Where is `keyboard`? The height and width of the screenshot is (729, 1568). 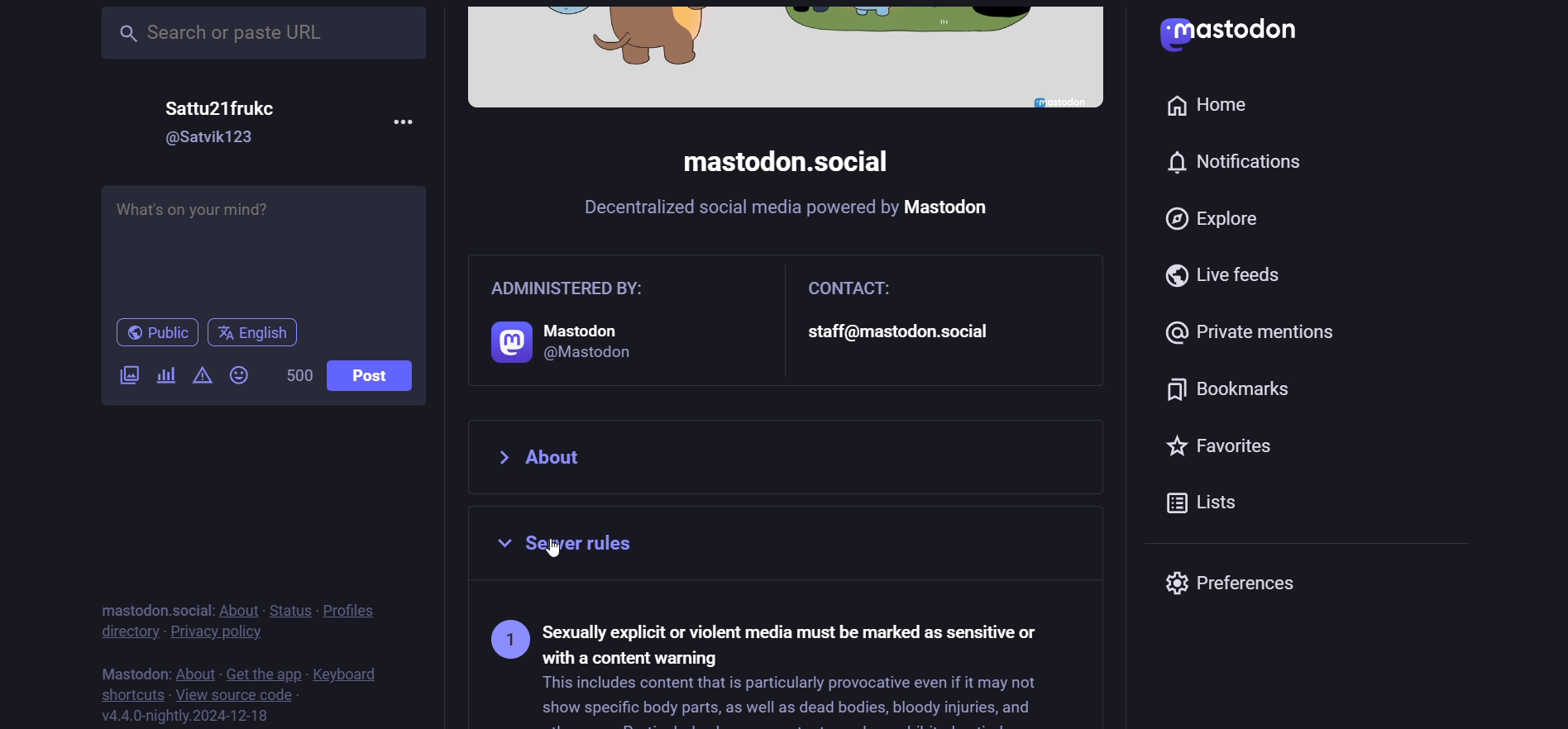
keyboard is located at coordinates (350, 674).